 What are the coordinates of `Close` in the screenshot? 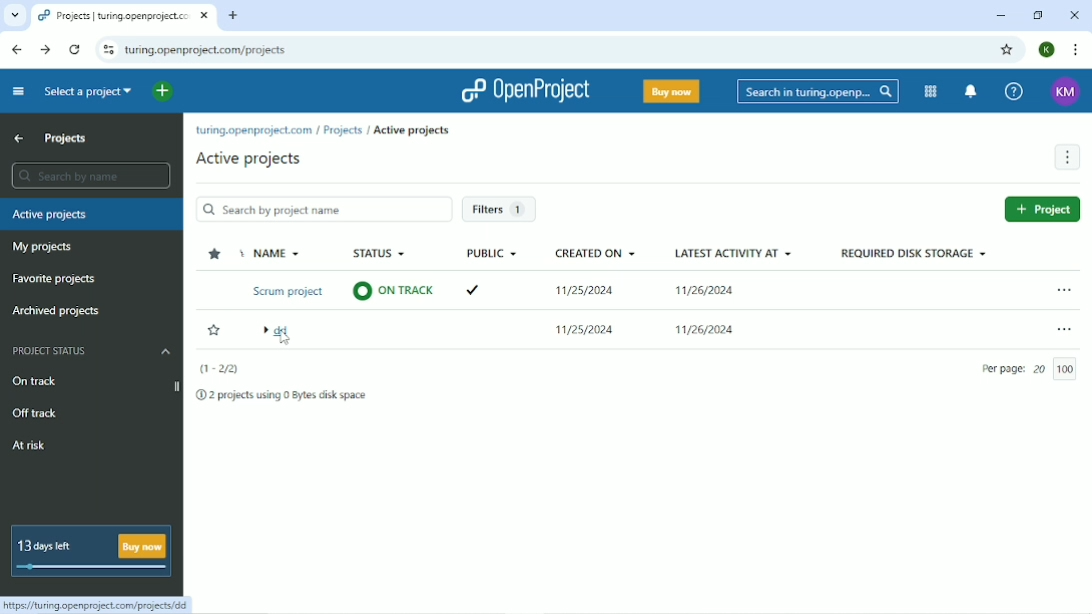 It's located at (1075, 15).